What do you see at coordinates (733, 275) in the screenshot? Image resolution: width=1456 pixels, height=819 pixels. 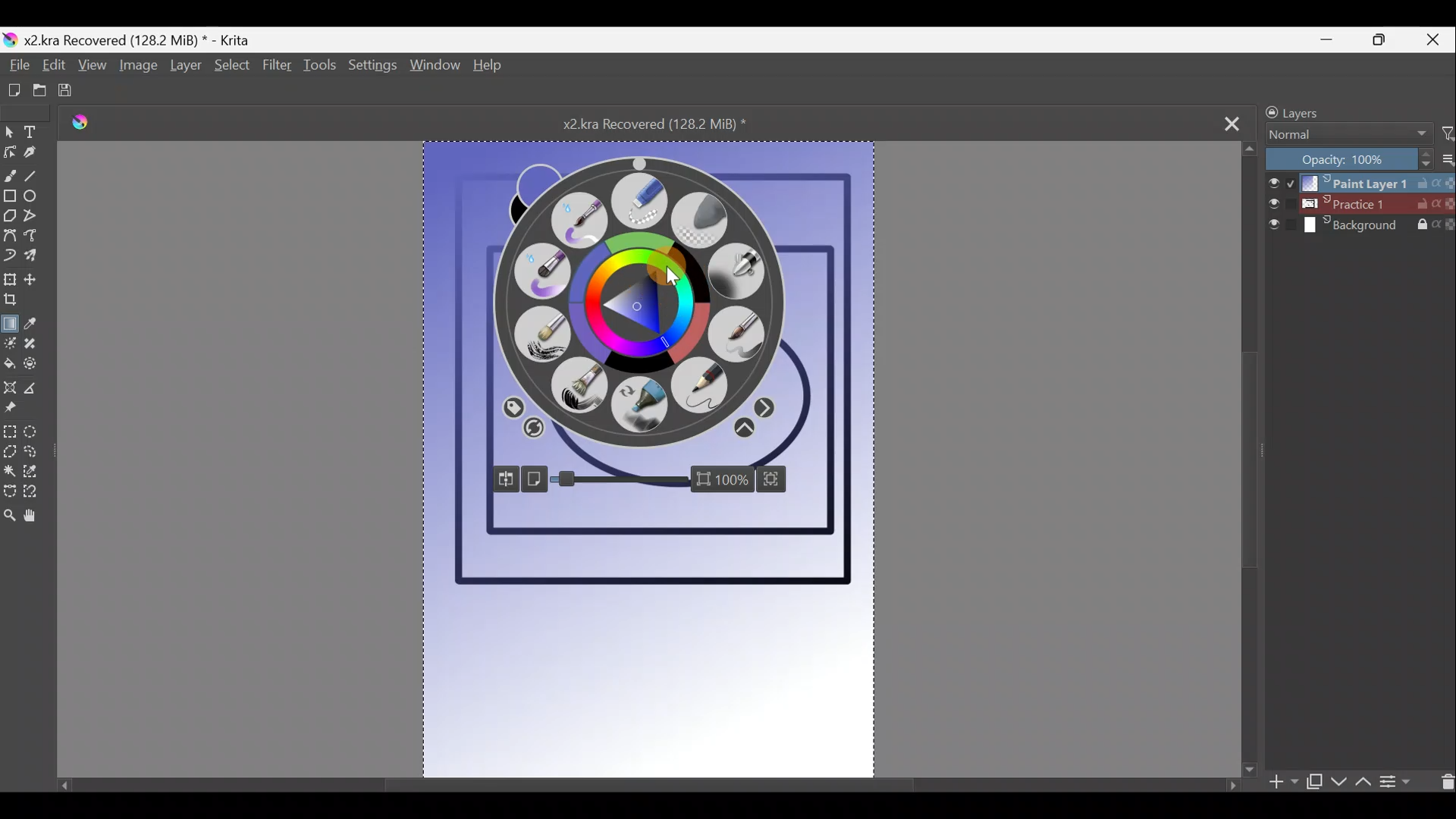 I see `Airbrush soft` at bounding box center [733, 275].